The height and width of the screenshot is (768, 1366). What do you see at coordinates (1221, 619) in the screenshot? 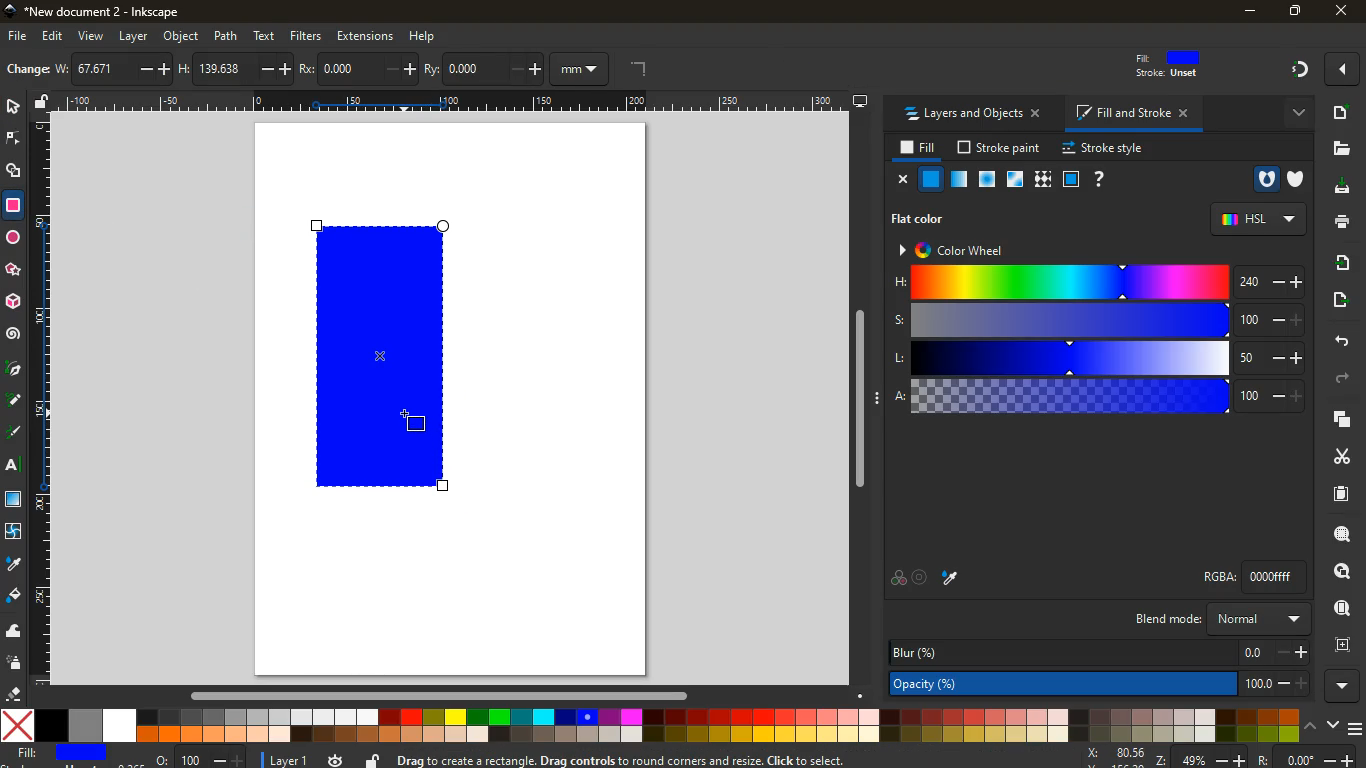
I see `blend mode` at bounding box center [1221, 619].